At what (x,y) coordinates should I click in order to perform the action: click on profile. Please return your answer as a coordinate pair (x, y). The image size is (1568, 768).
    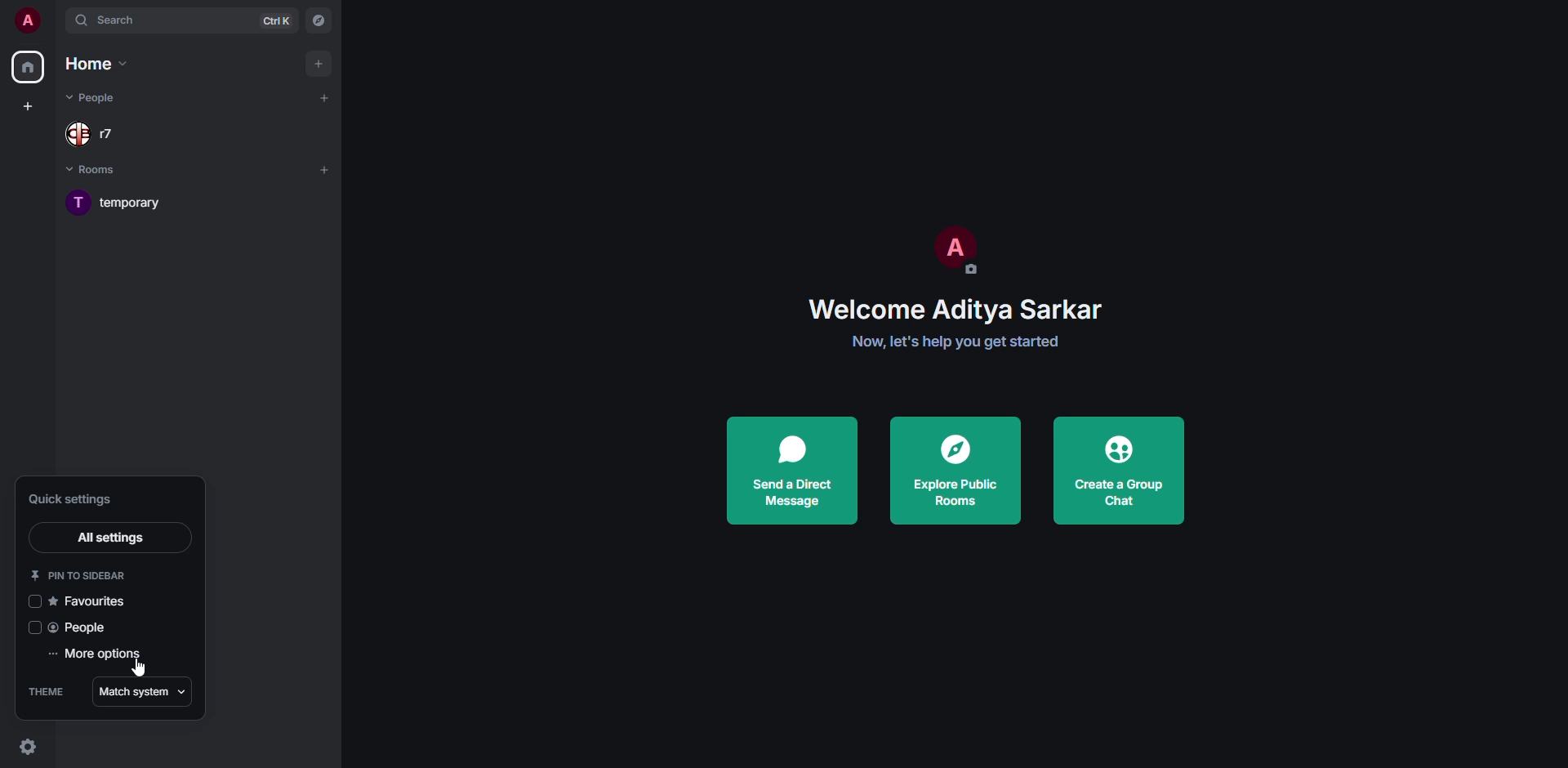
    Looking at the image, I should click on (27, 20).